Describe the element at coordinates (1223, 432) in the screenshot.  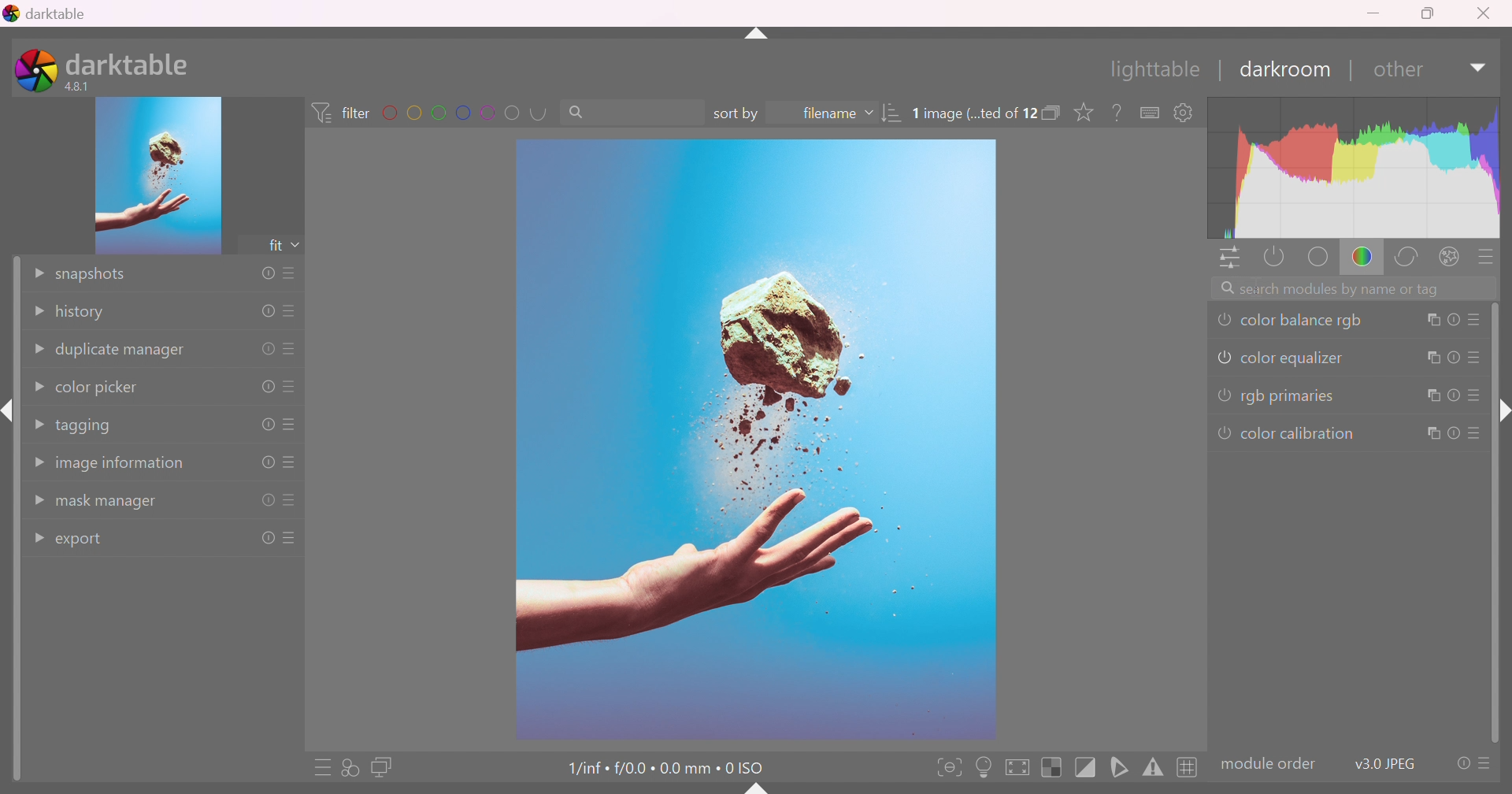
I see `'color caliberation' is switched off` at that location.